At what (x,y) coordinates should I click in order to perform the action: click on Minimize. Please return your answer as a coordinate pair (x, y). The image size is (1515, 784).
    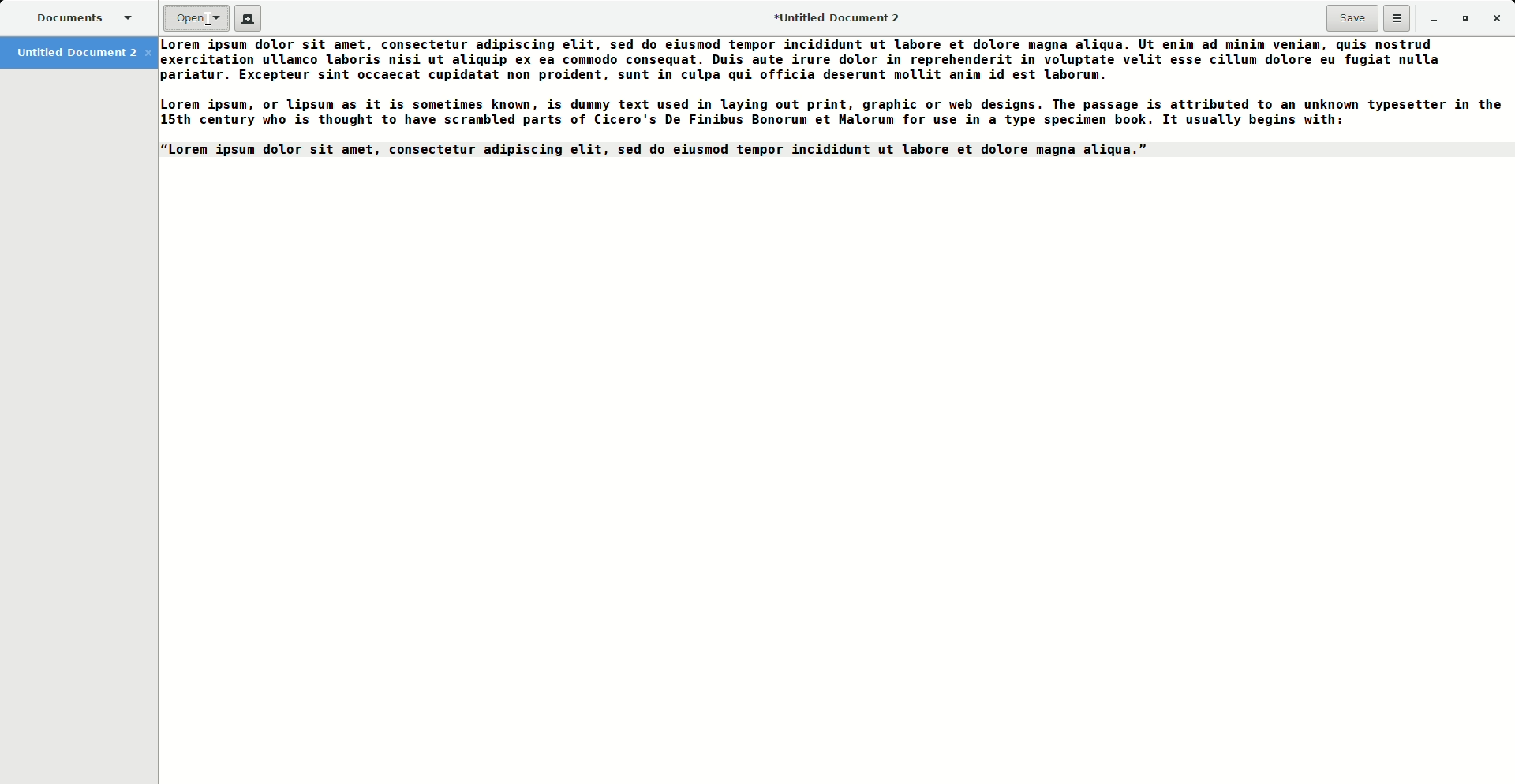
    Looking at the image, I should click on (1433, 19).